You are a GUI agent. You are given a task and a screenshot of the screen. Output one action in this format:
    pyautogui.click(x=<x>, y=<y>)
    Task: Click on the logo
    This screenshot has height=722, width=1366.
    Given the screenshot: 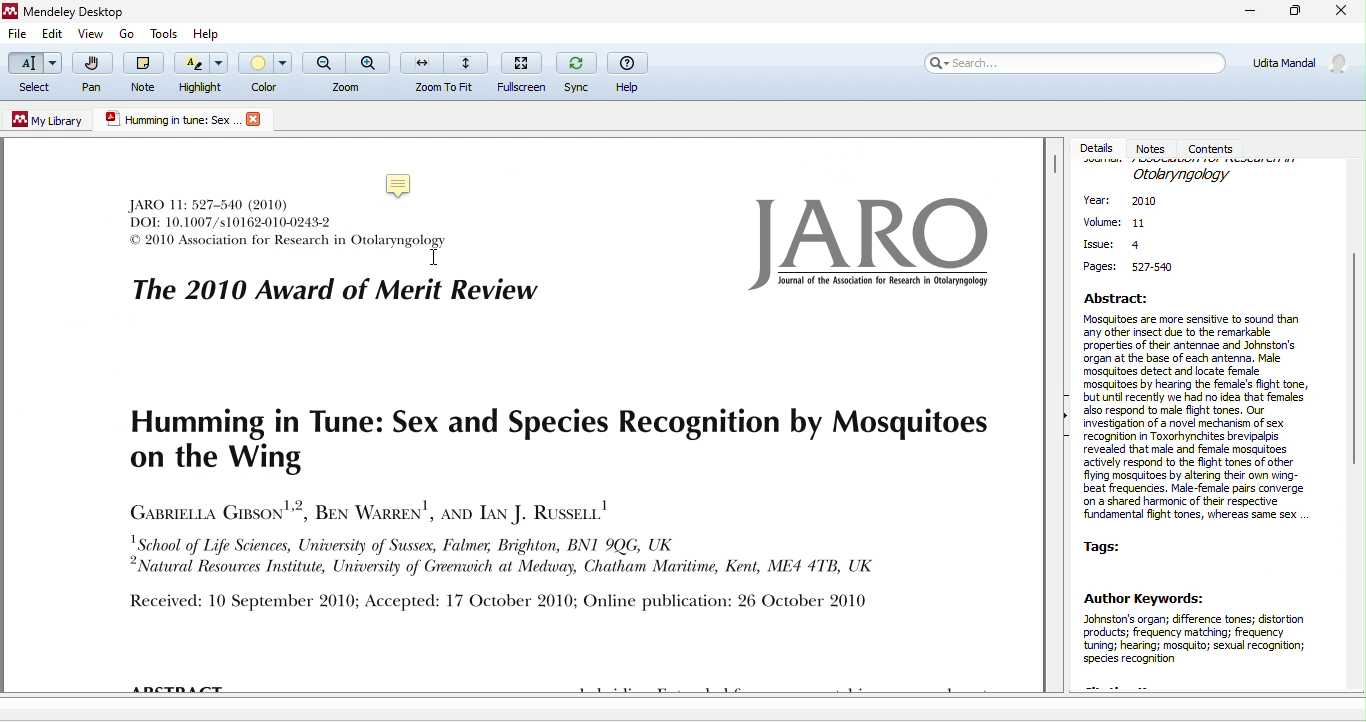 What is the action you would take?
    pyautogui.click(x=863, y=242)
    